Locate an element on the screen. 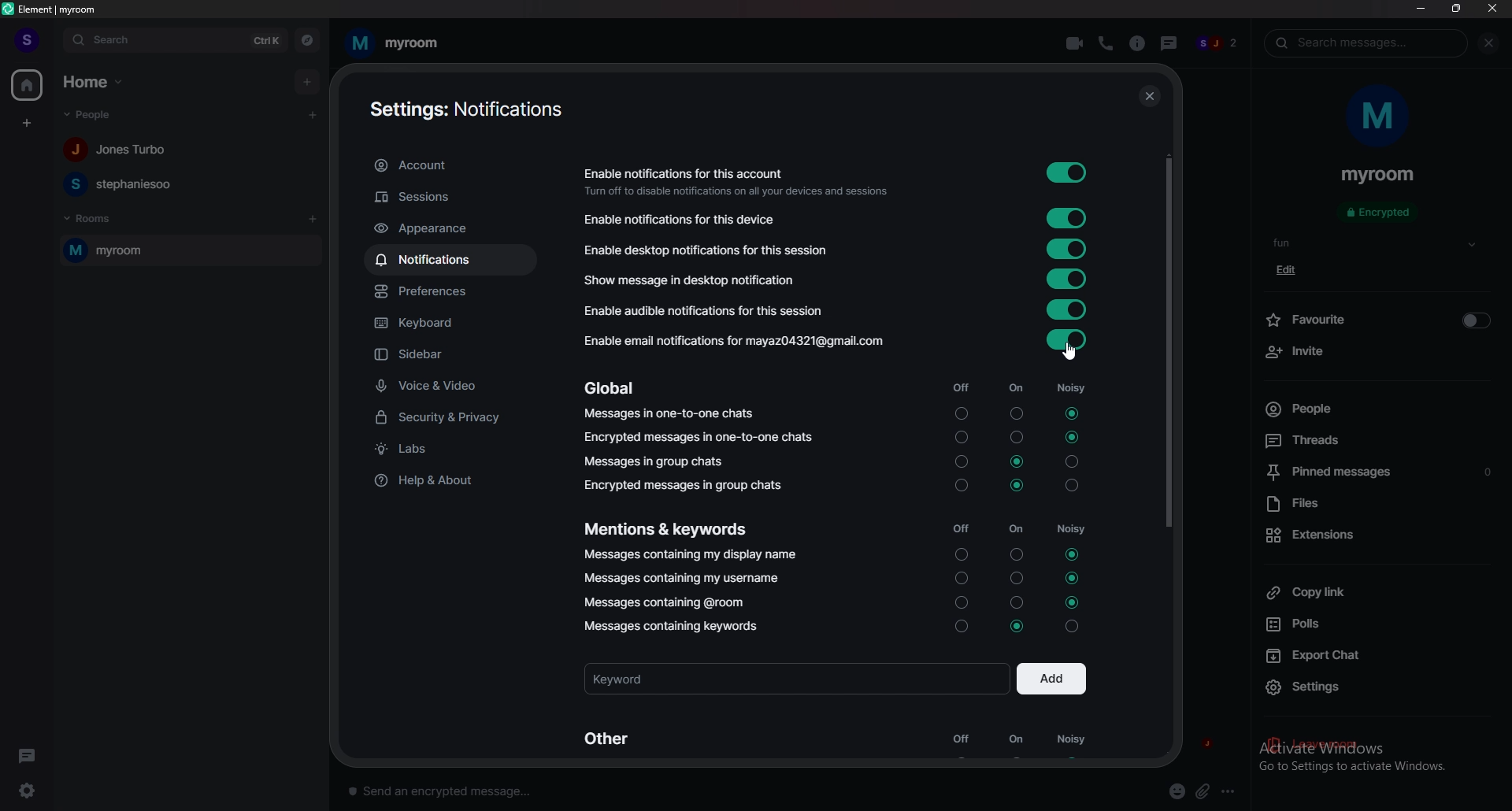 The image size is (1512, 811). start chat is located at coordinates (314, 114).